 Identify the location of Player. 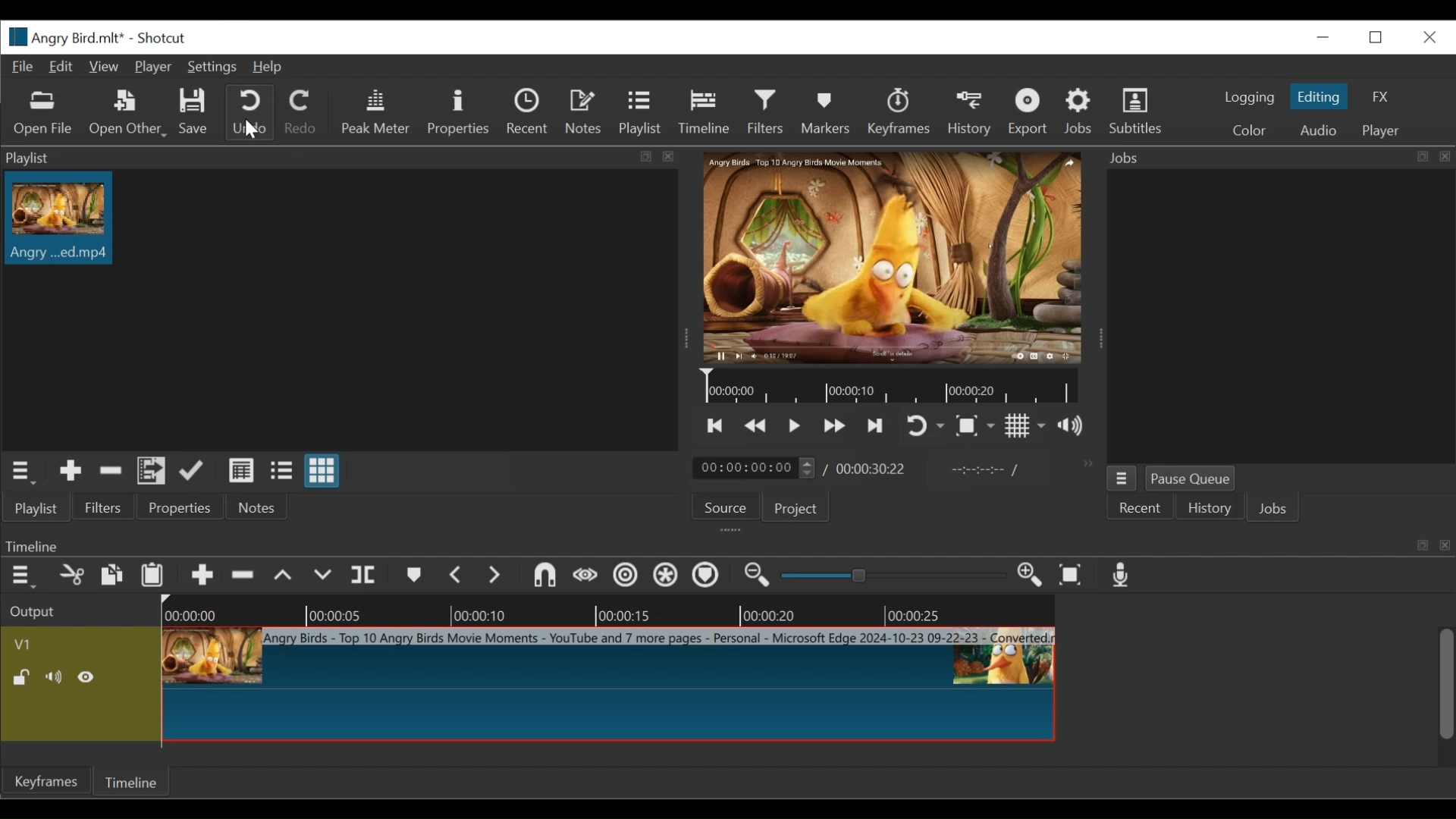
(152, 67).